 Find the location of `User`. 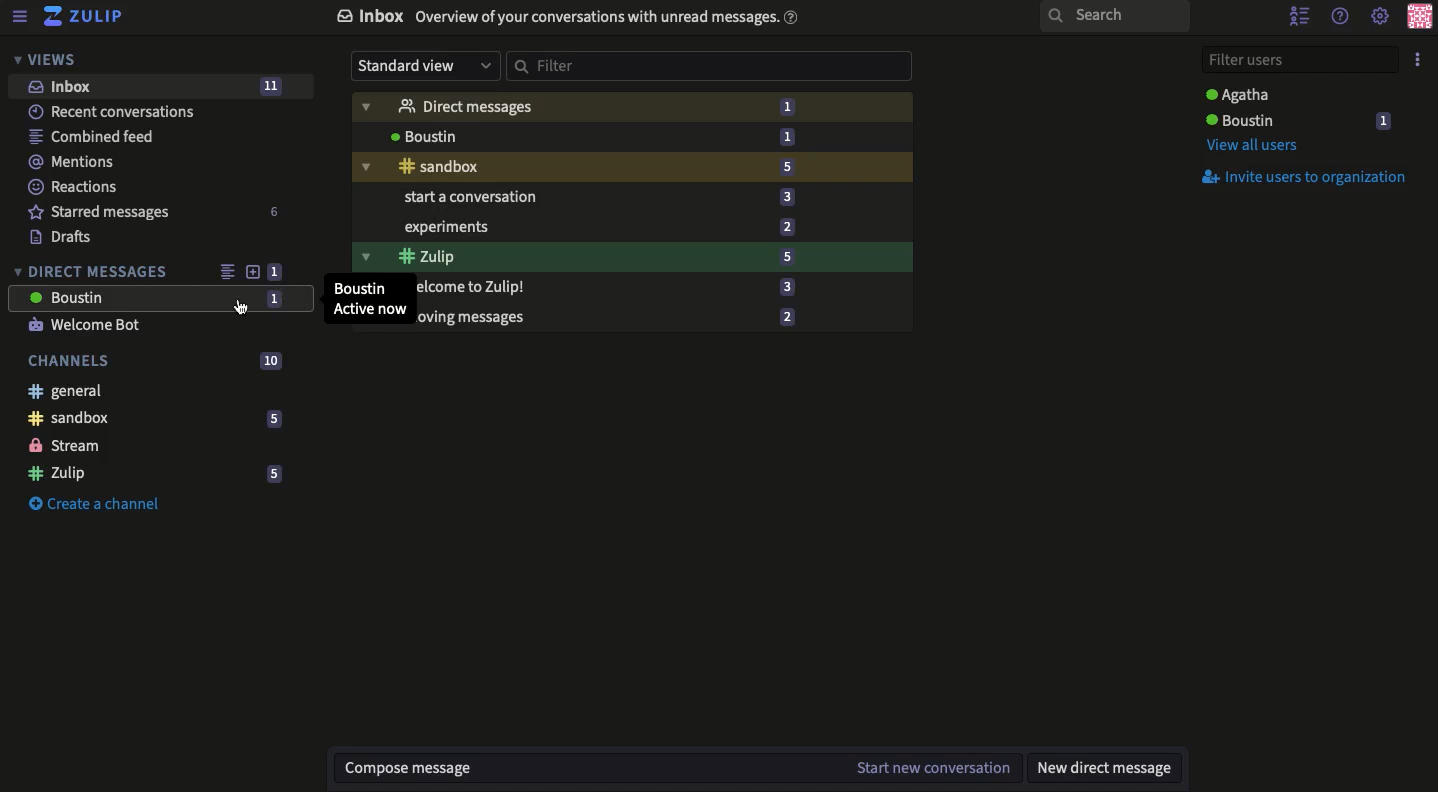

User is located at coordinates (628, 133).